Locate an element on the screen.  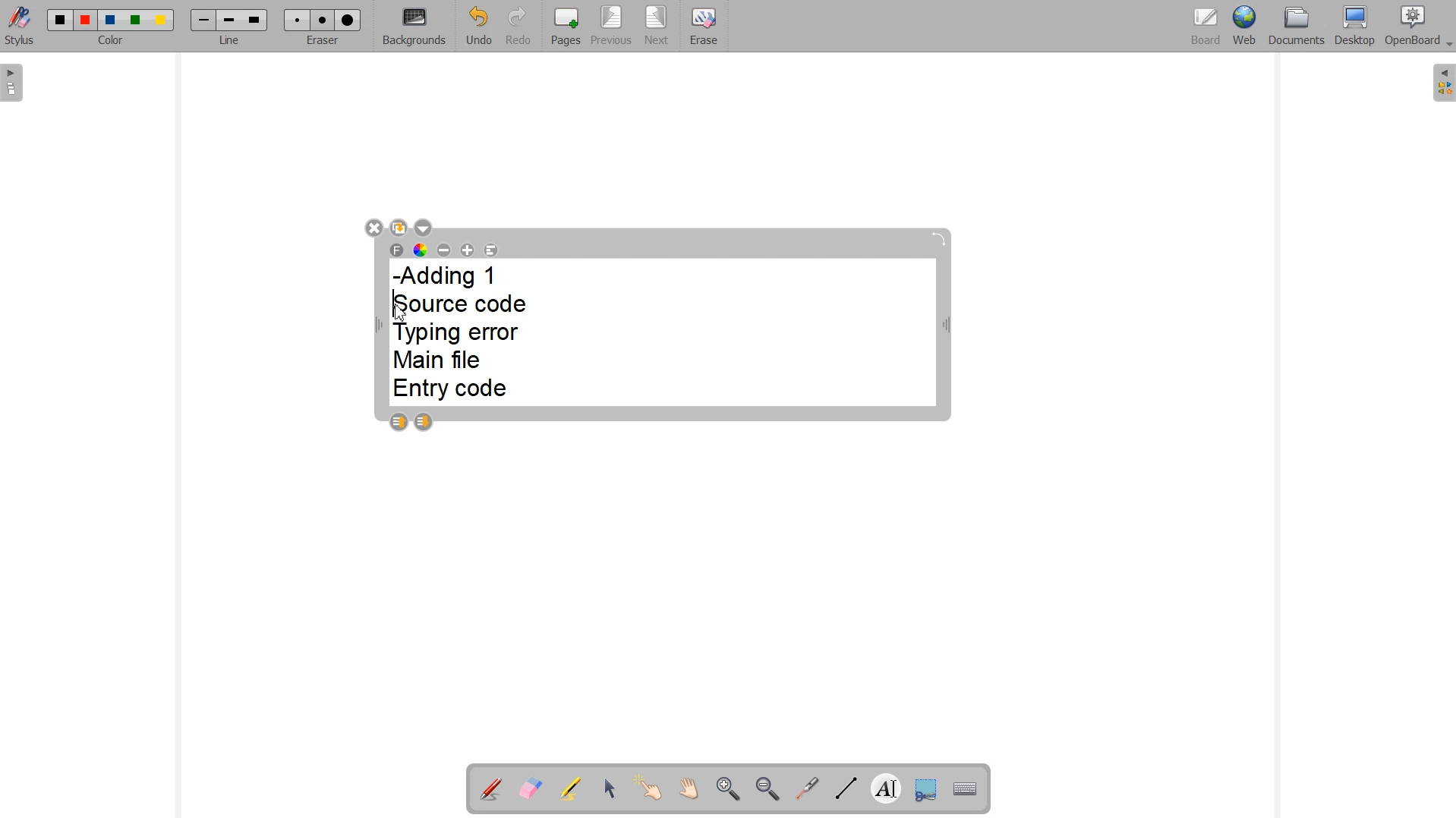
Desktop is located at coordinates (1355, 27).